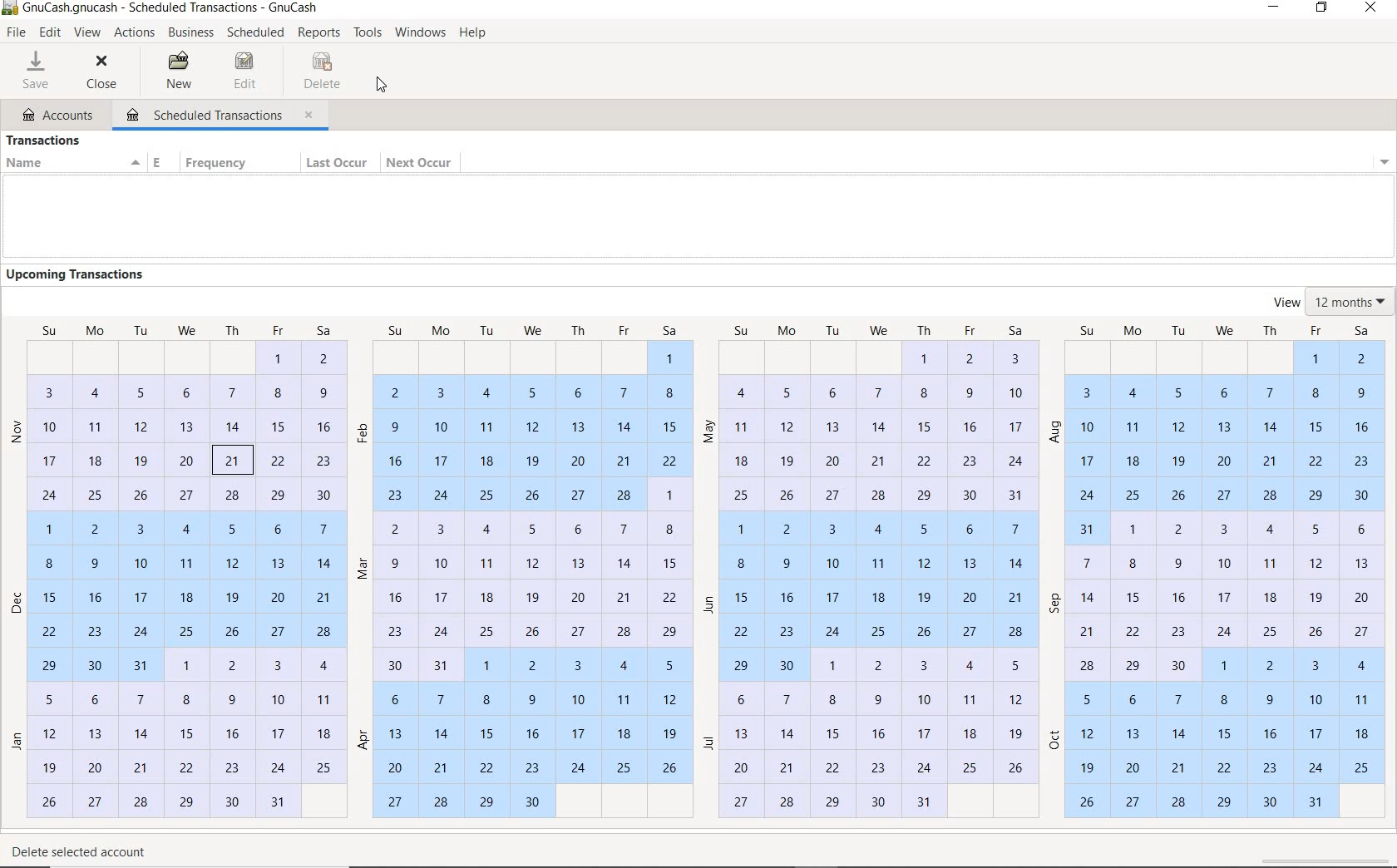 This screenshot has width=1397, height=868. What do you see at coordinates (369, 33) in the screenshot?
I see `TOOLS` at bounding box center [369, 33].